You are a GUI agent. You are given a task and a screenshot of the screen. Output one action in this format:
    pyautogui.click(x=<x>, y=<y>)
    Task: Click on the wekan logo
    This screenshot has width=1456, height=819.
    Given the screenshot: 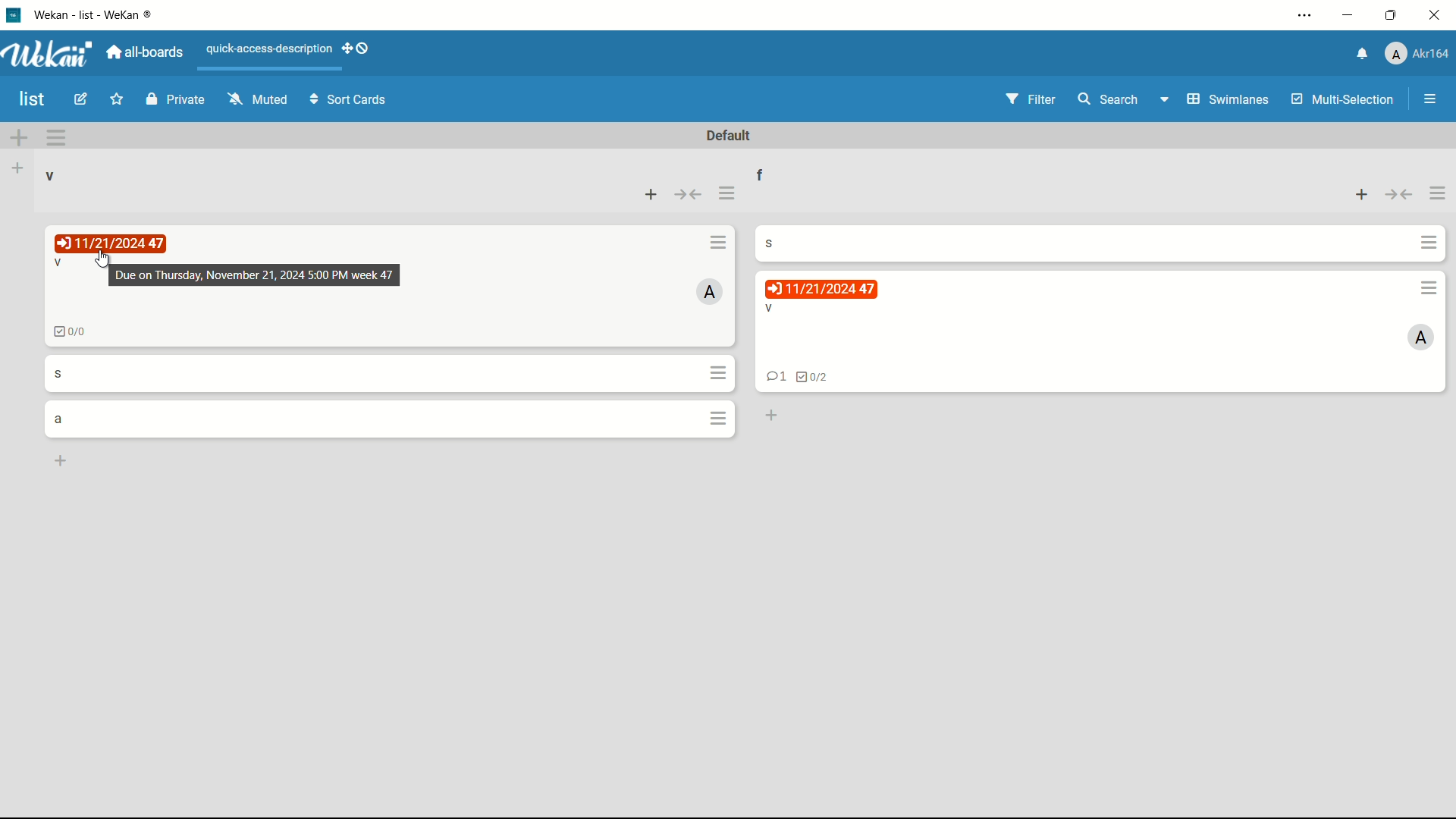 What is the action you would take?
    pyautogui.click(x=52, y=54)
    